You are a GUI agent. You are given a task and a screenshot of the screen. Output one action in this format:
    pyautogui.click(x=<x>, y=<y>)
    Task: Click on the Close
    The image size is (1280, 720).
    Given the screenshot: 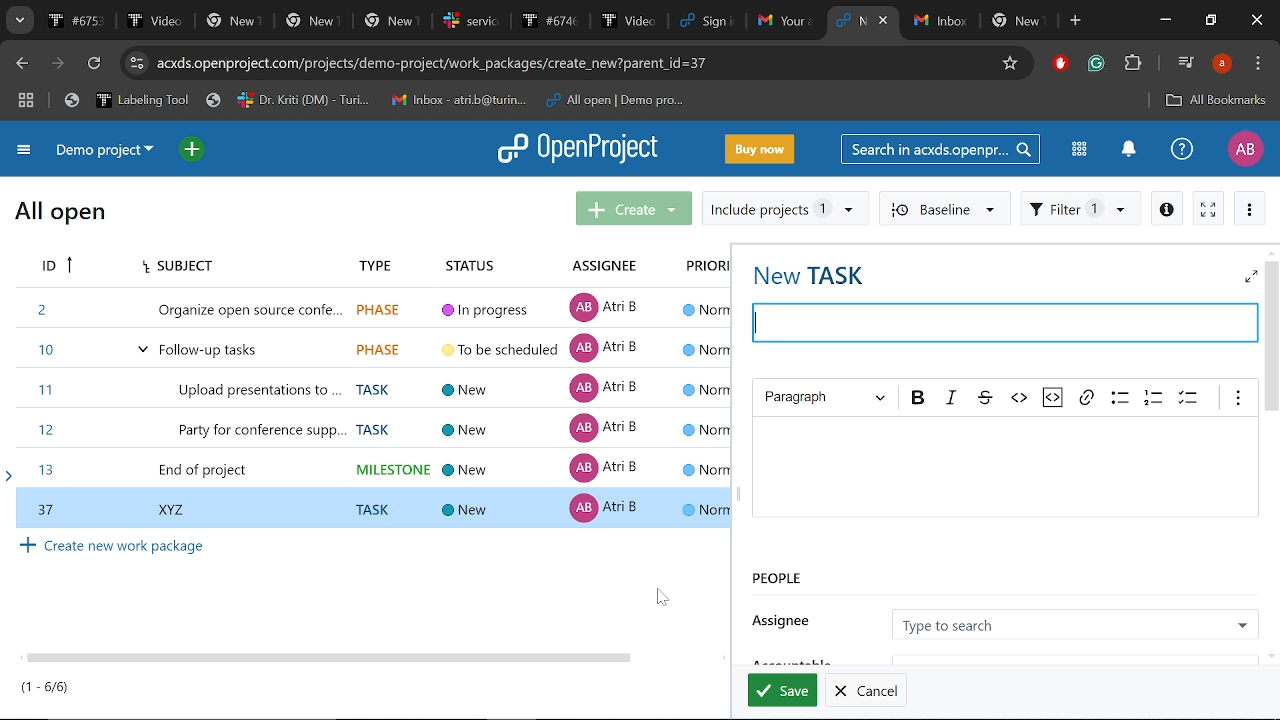 What is the action you would take?
    pyautogui.click(x=1258, y=21)
    